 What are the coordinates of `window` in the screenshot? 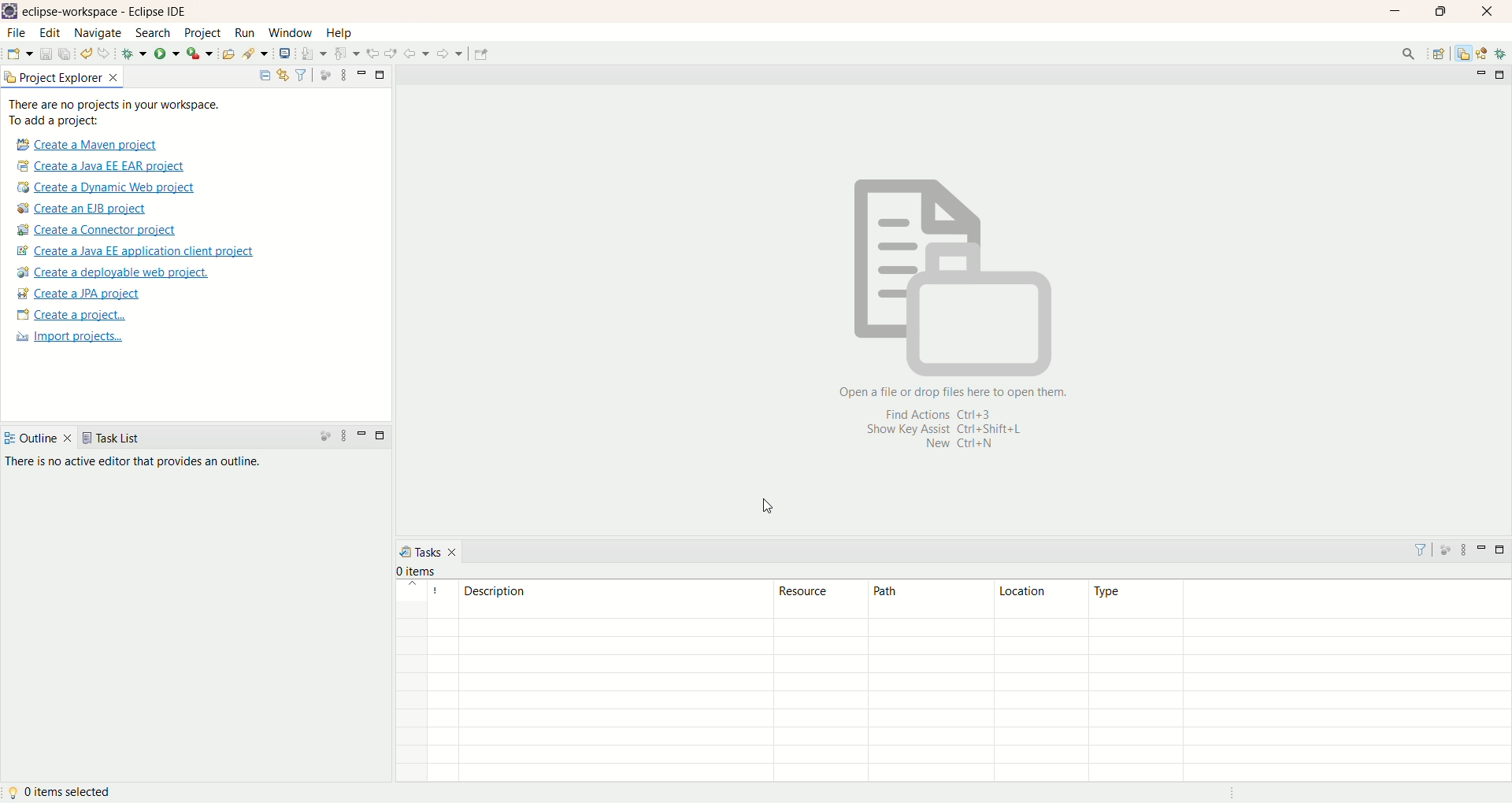 It's located at (292, 33).